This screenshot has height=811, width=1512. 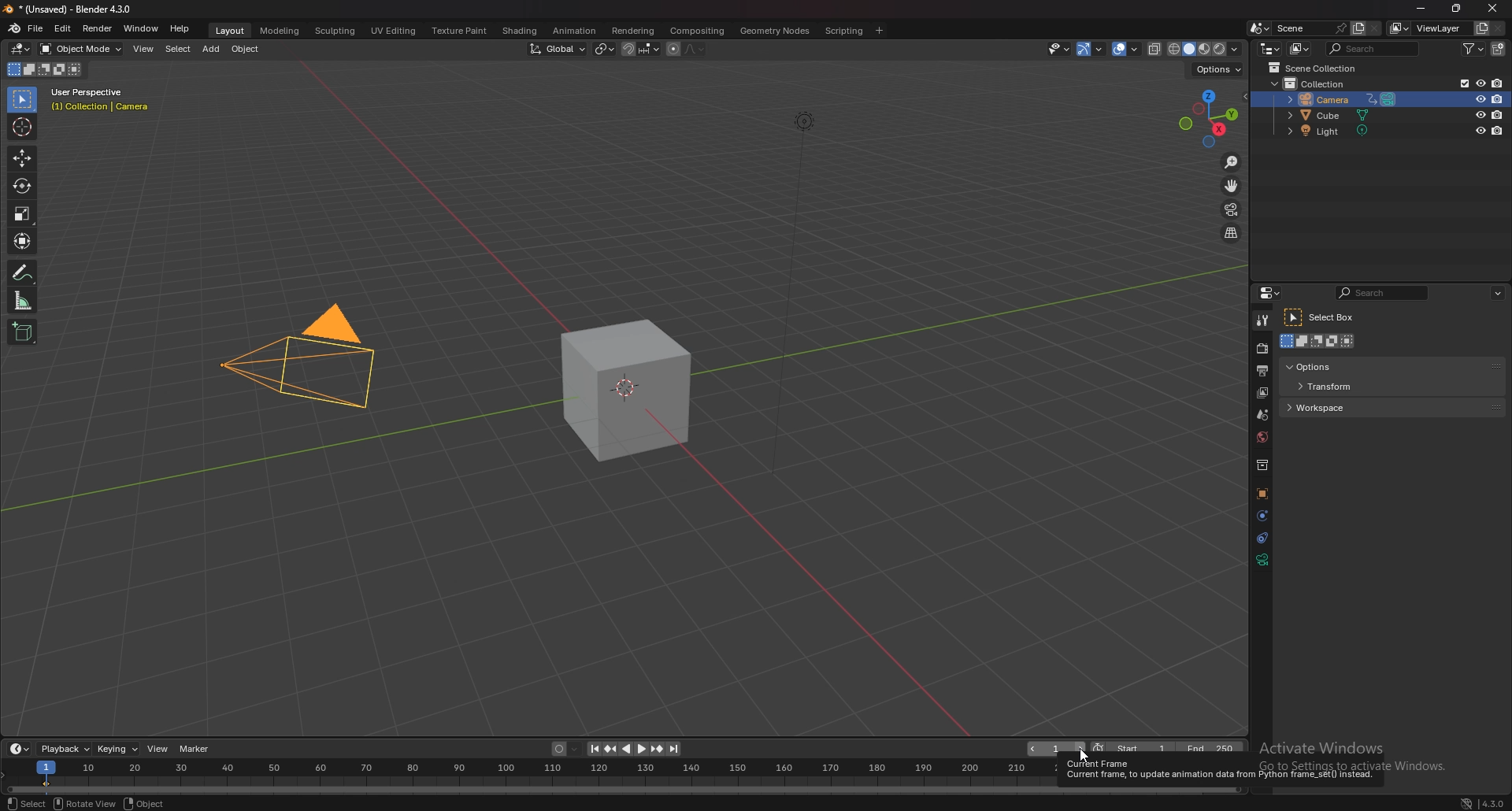 What do you see at coordinates (633, 31) in the screenshot?
I see `rendering` at bounding box center [633, 31].